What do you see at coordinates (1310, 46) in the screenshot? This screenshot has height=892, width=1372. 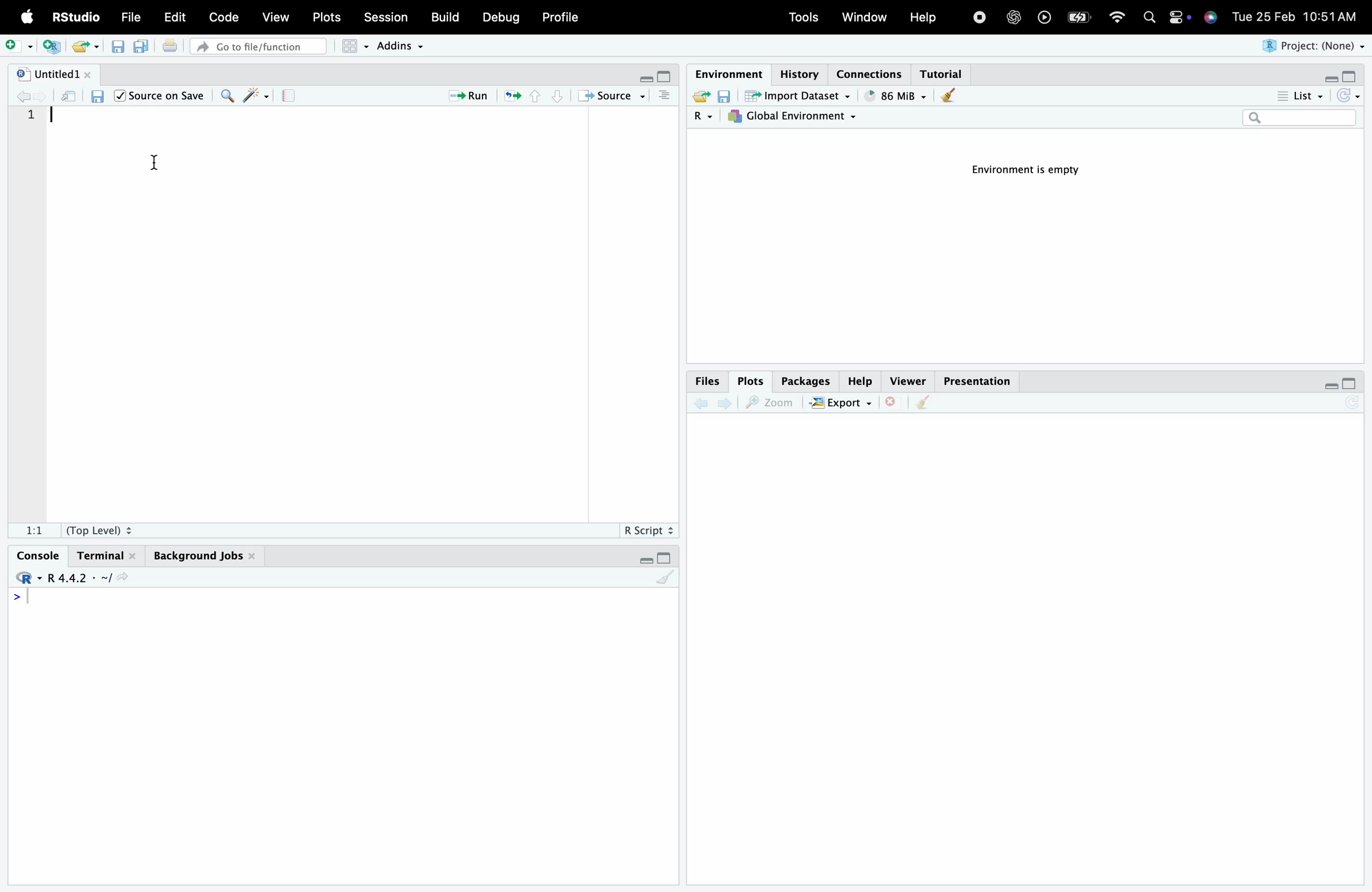 I see `Project: (None)` at bounding box center [1310, 46].